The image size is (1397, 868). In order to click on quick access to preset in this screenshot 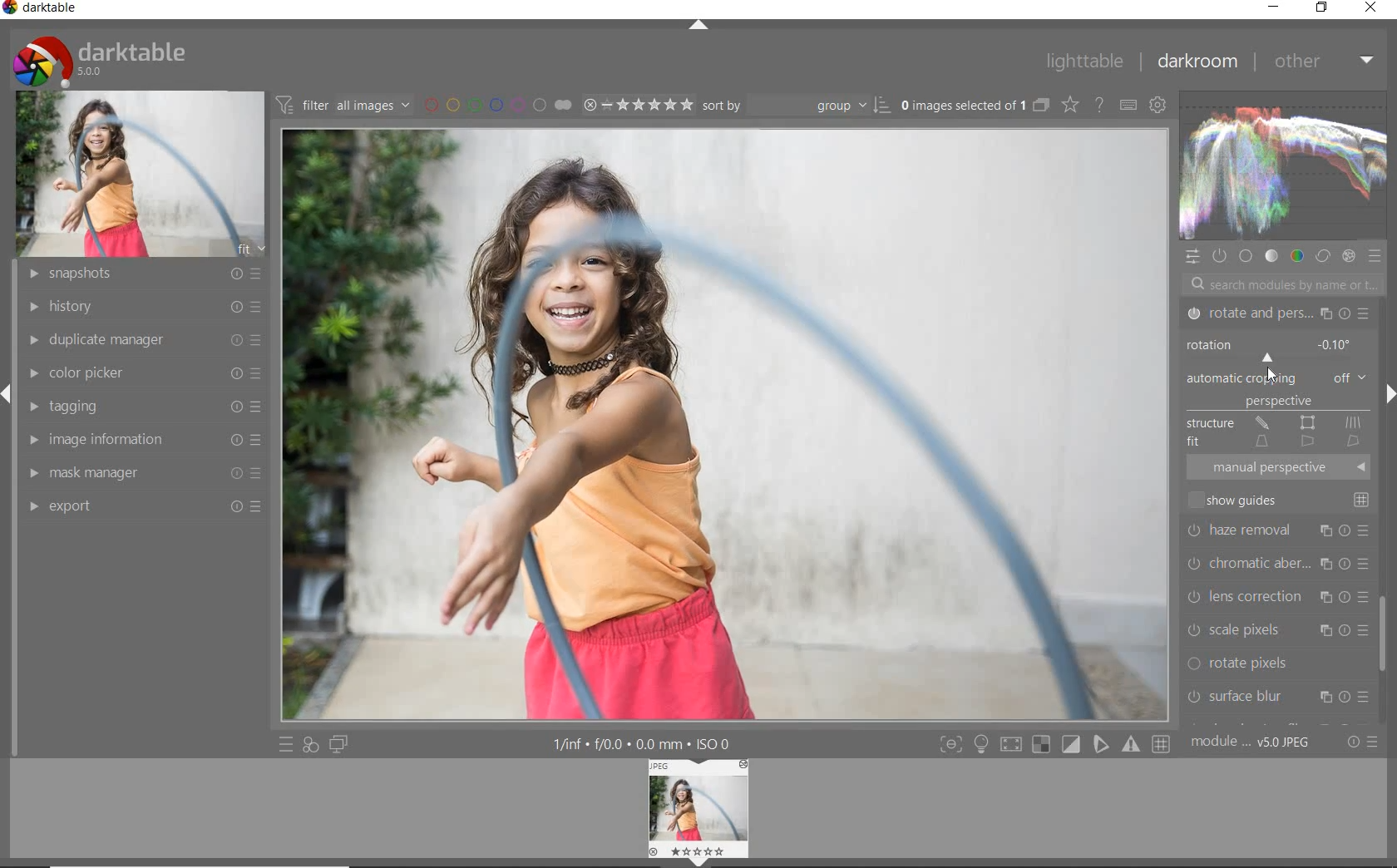, I will do `click(287, 743)`.